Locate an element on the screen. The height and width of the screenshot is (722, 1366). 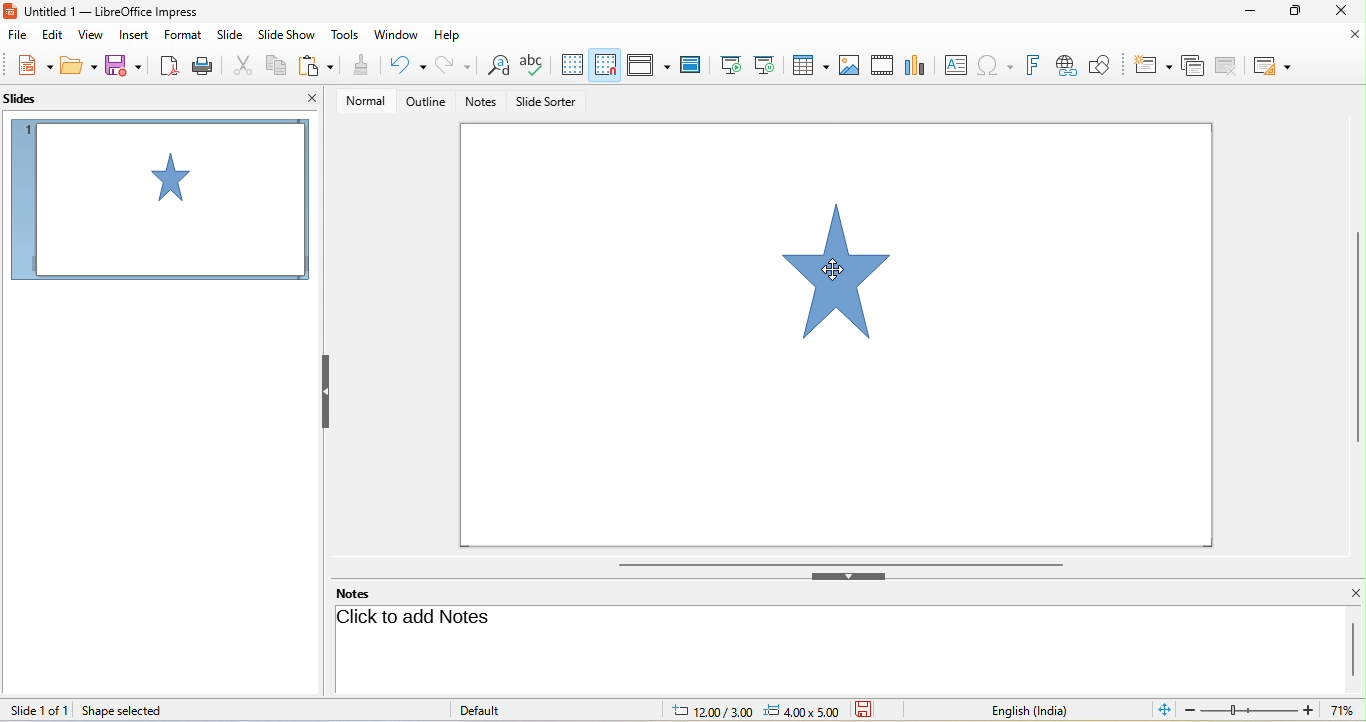
find and replace is located at coordinates (497, 65).